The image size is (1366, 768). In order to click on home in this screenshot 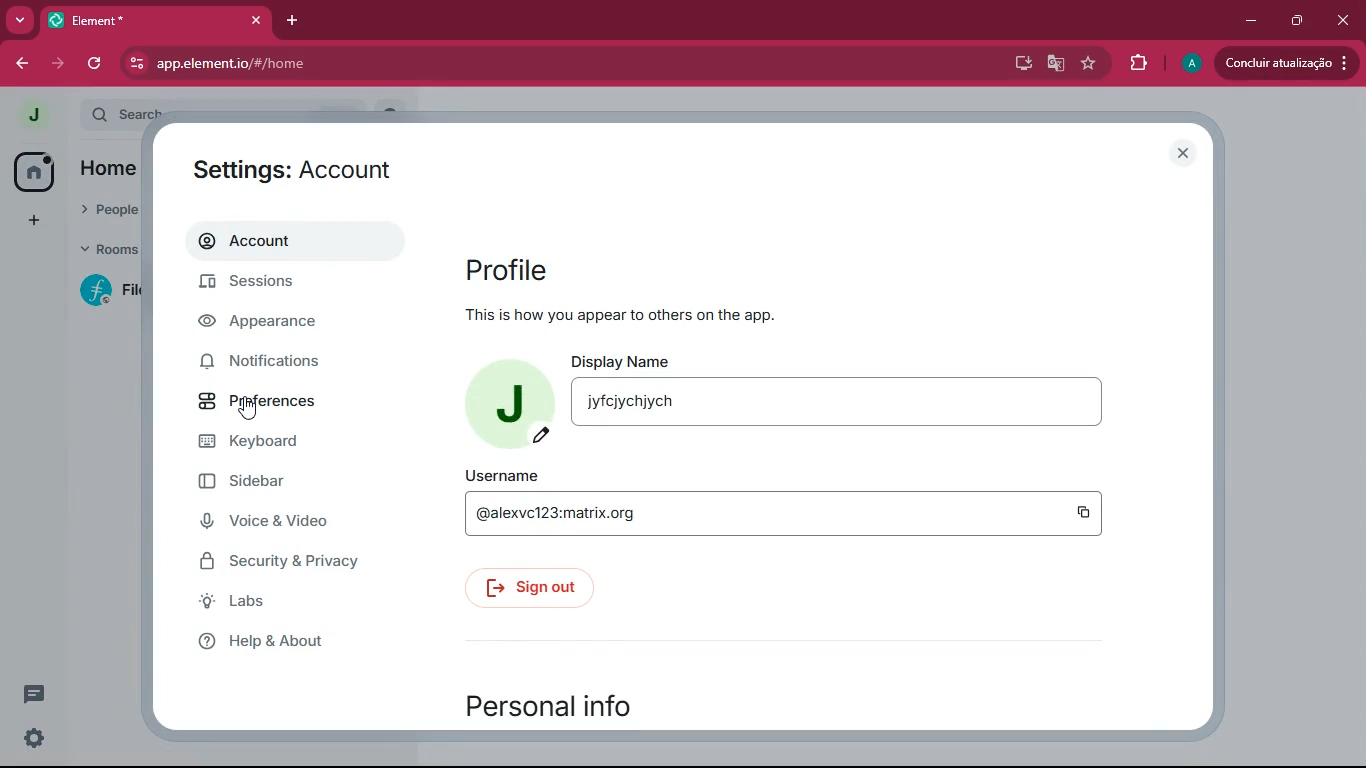, I will do `click(36, 173)`.